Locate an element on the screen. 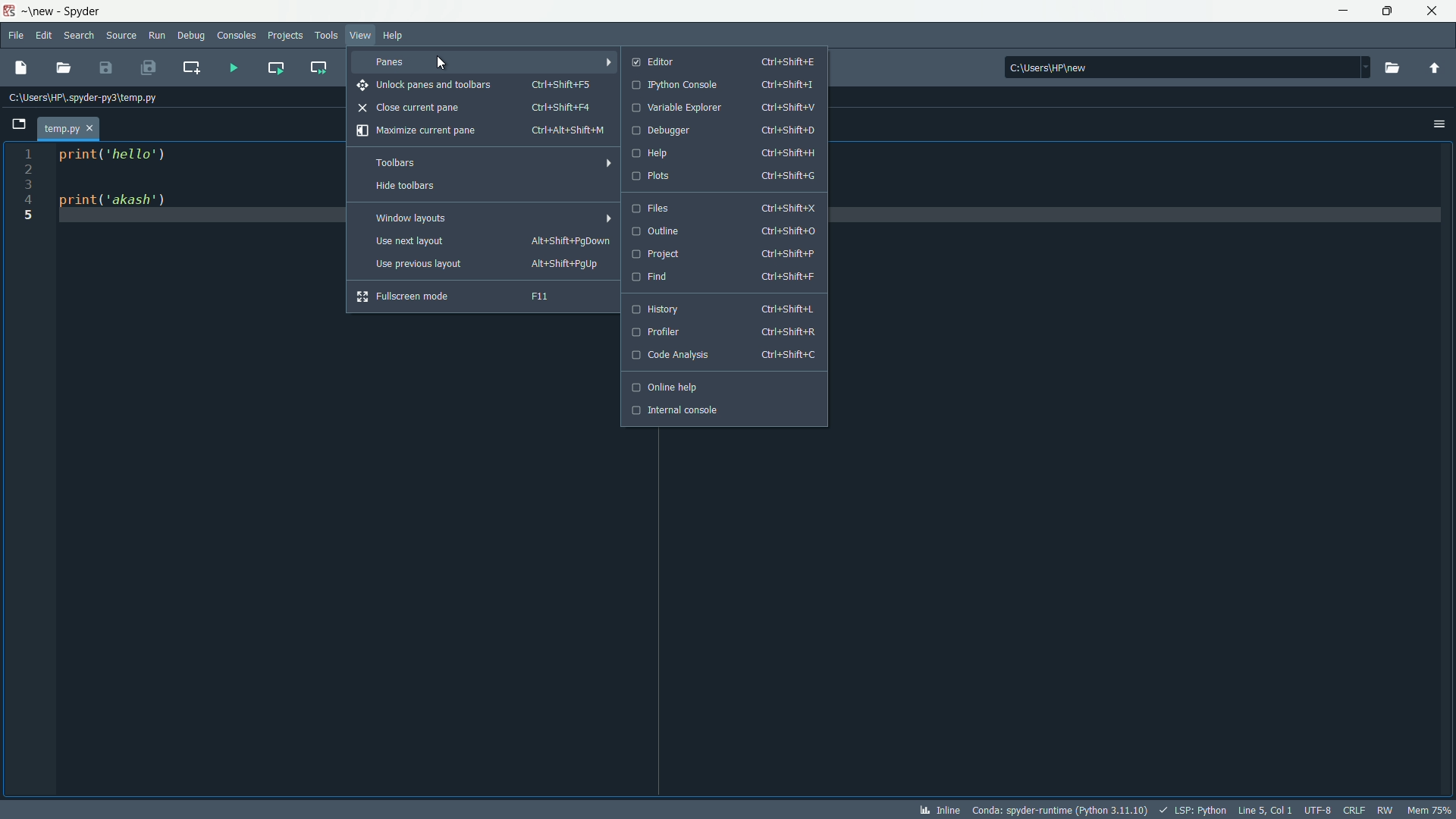 This screenshot has width=1456, height=819. panes is located at coordinates (485, 61).